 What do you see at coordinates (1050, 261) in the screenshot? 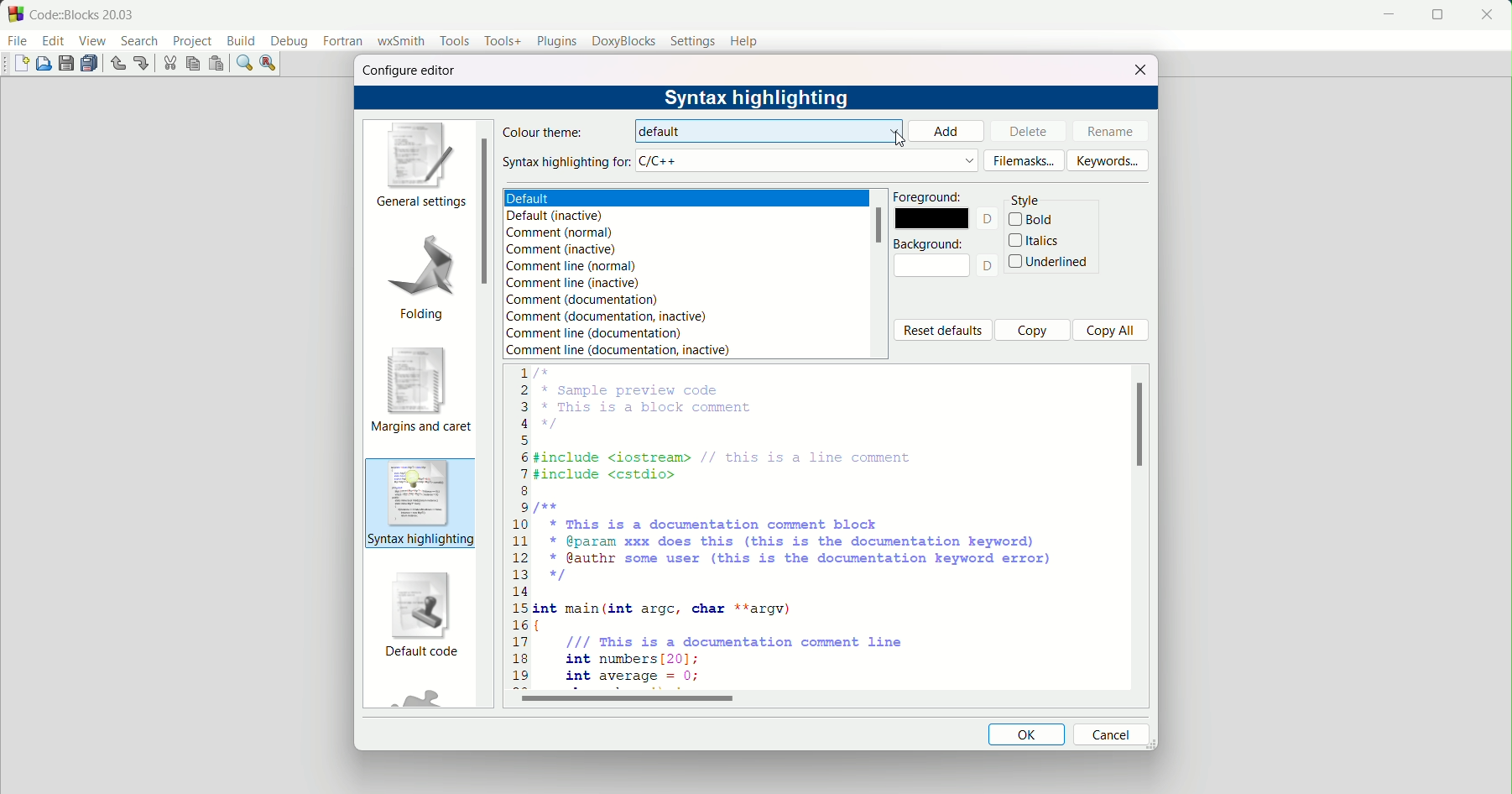
I see `underlined` at bounding box center [1050, 261].